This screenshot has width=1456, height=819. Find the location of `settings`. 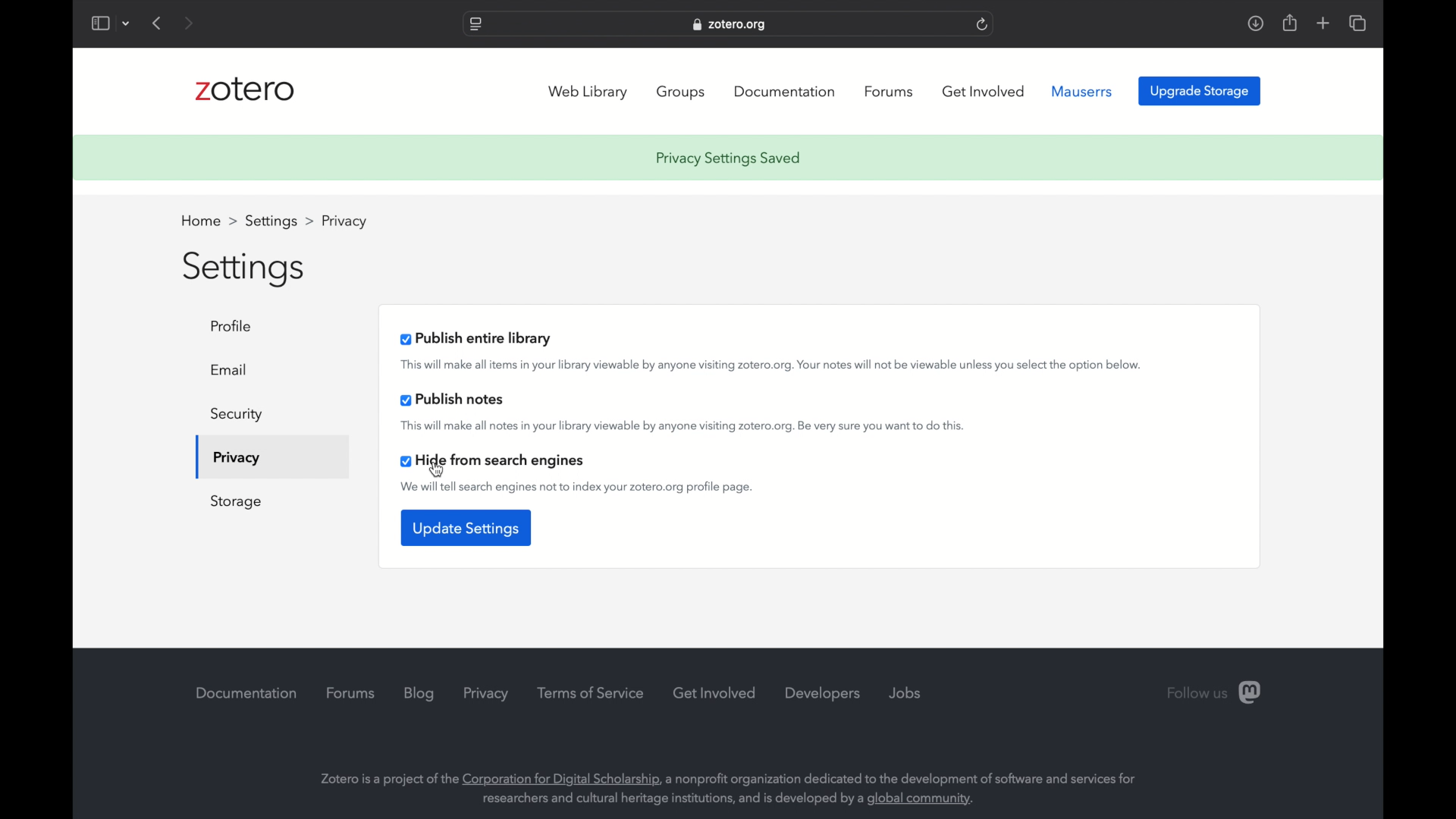

settings is located at coordinates (243, 268).